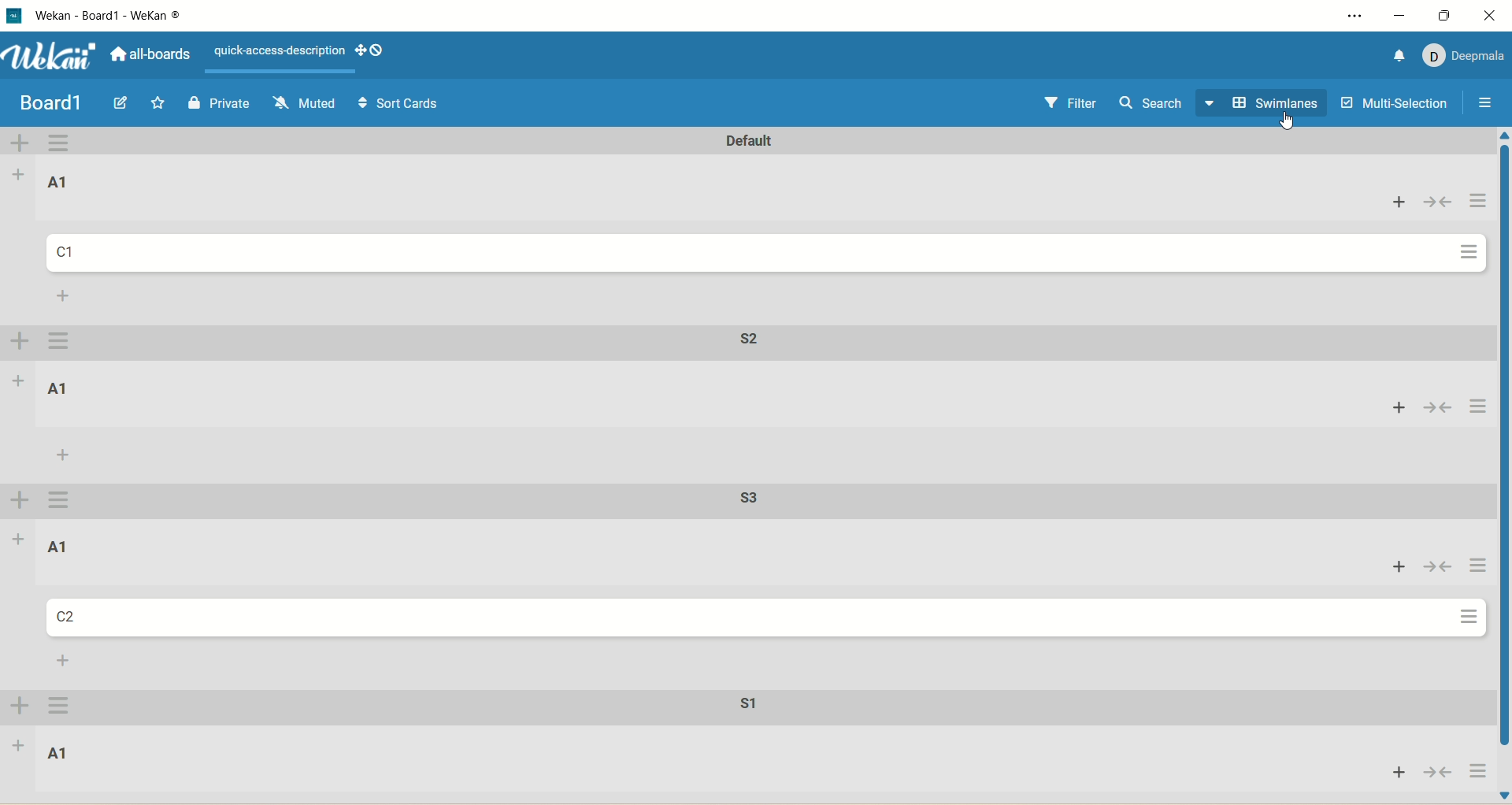 The height and width of the screenshot is (805, 1512). Describe the element at coordinates (376, 50) in the screenshot. I see `show-desktop-drag-handles` at that location.